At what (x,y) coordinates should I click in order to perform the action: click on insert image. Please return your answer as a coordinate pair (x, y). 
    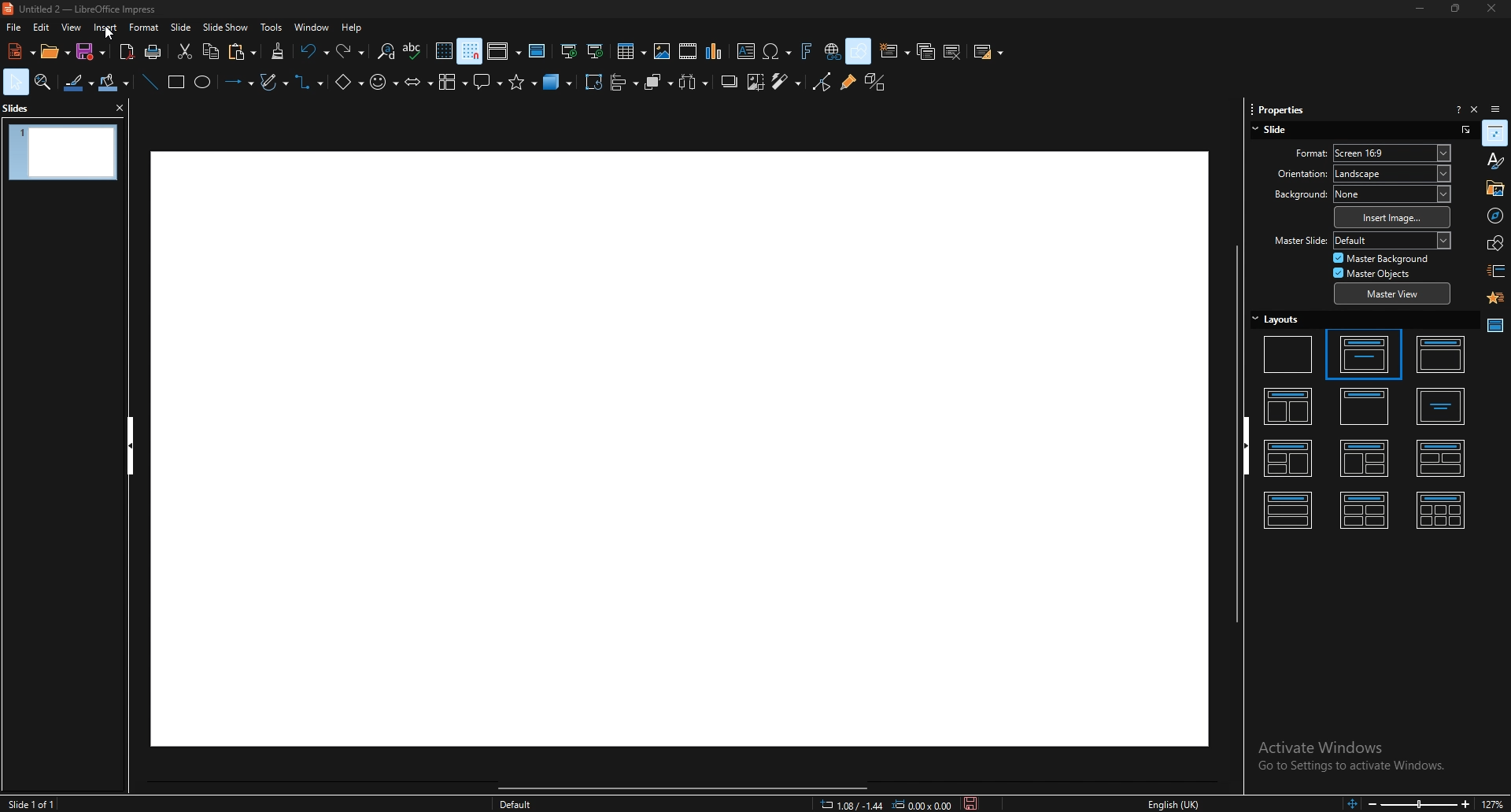
    Looking at the image, I should click on (1392, 217).